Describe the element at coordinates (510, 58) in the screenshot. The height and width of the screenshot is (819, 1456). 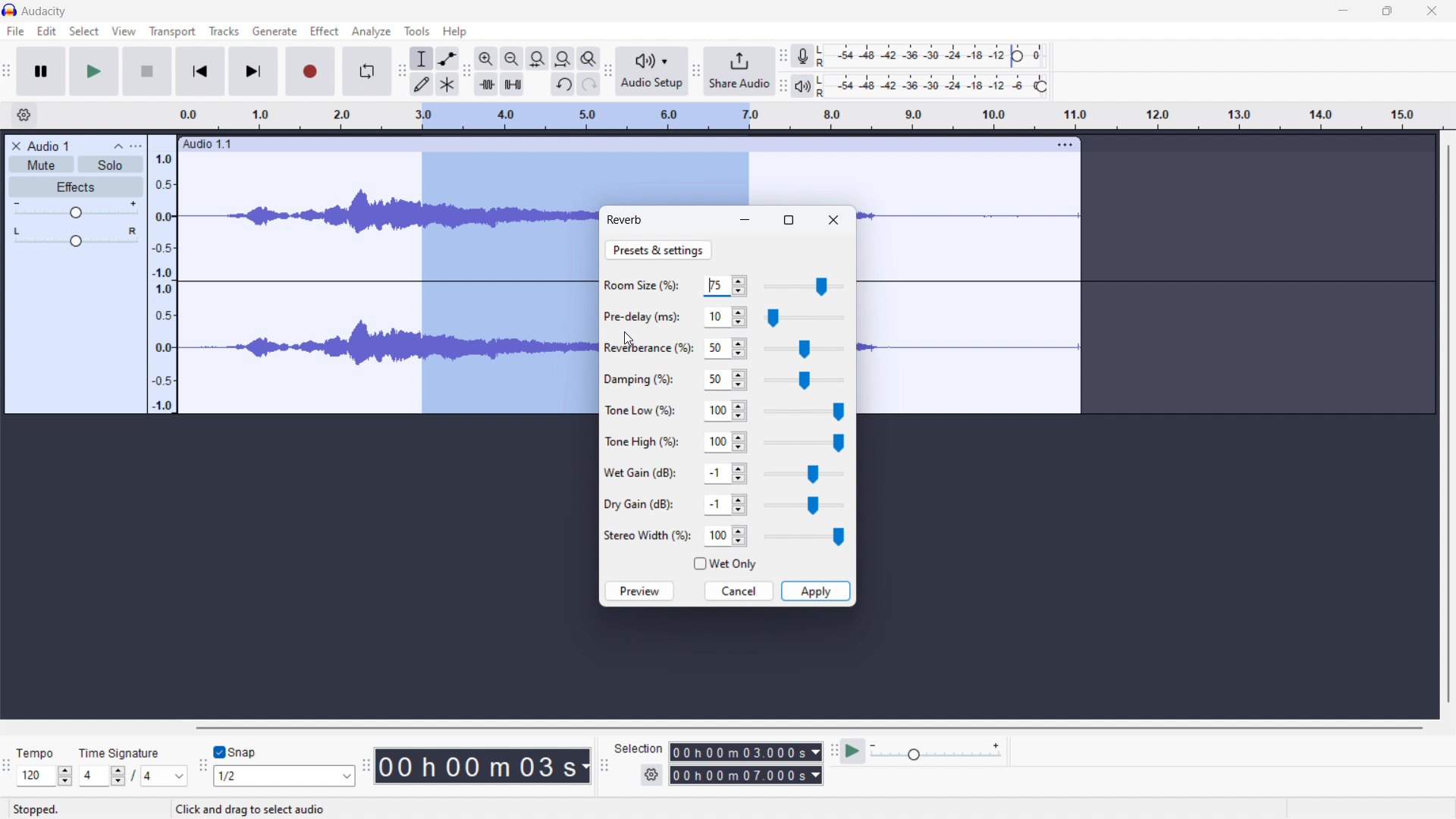
I see `zoom out` at that location.